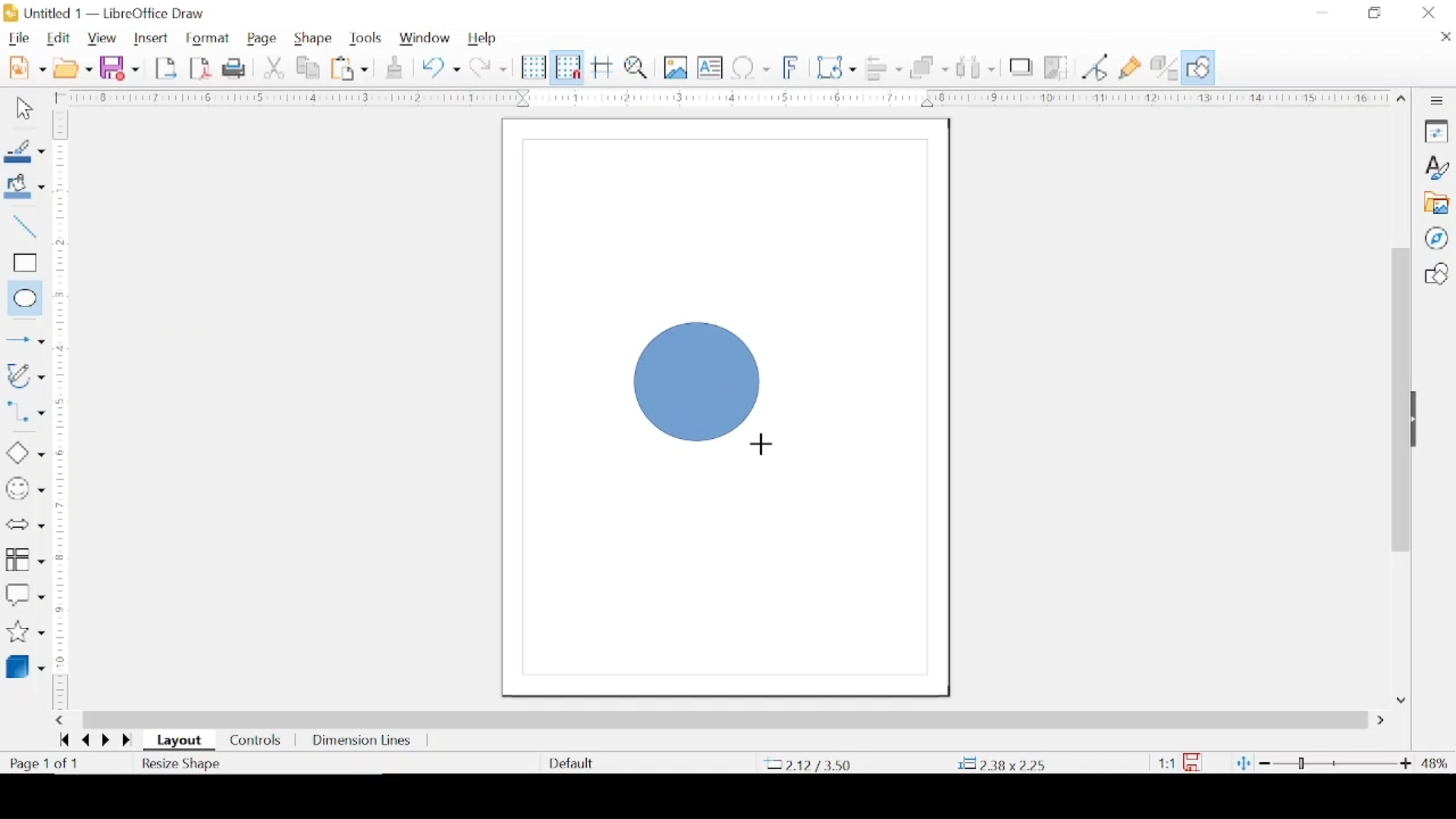 Image resolution: width=1456 pixels, height=819 pixels. Describe the element at coordinates (22, 297) in the screenshot. I see `ellipse` at that location.